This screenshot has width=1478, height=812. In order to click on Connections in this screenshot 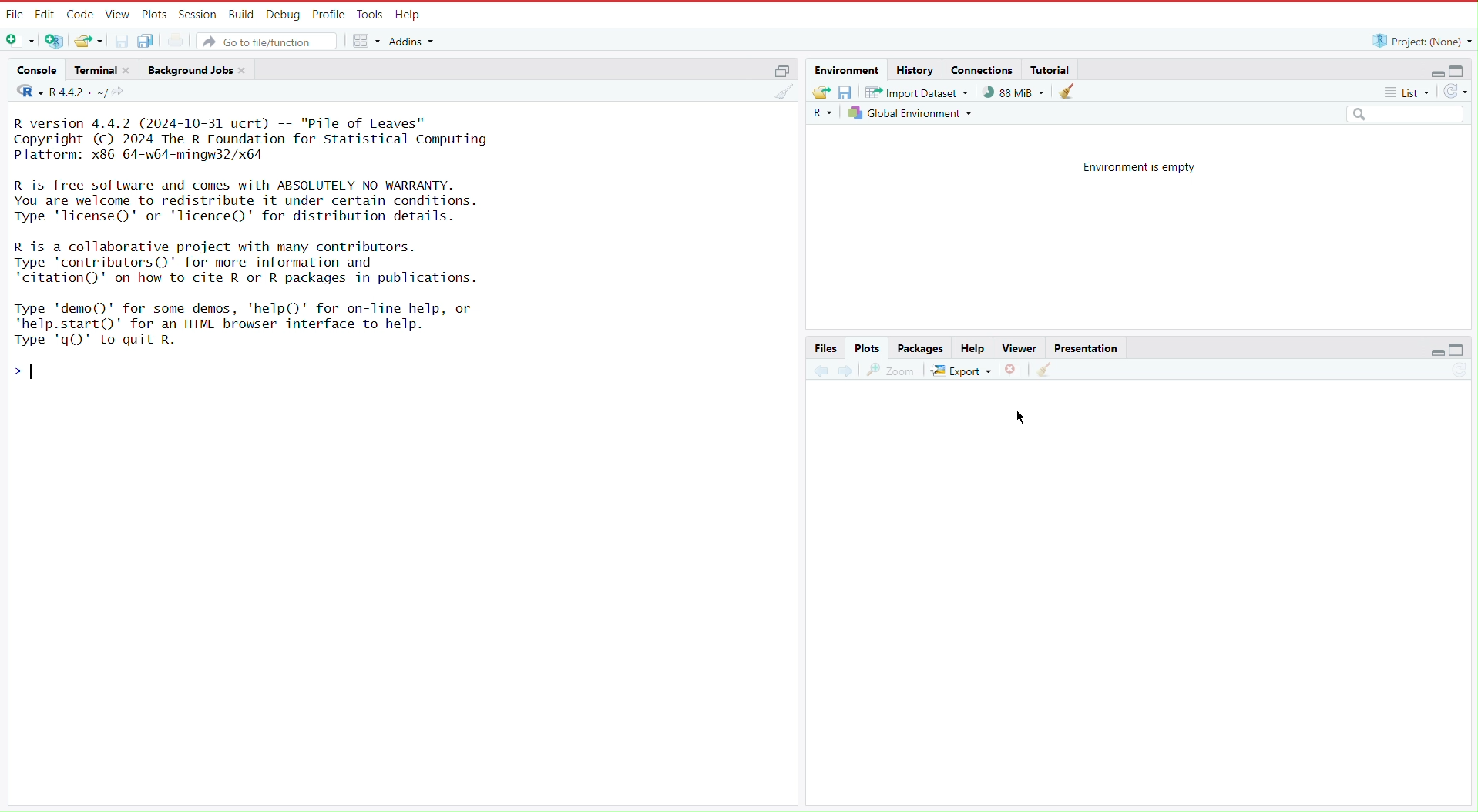, I will do `click(983, 69)`.